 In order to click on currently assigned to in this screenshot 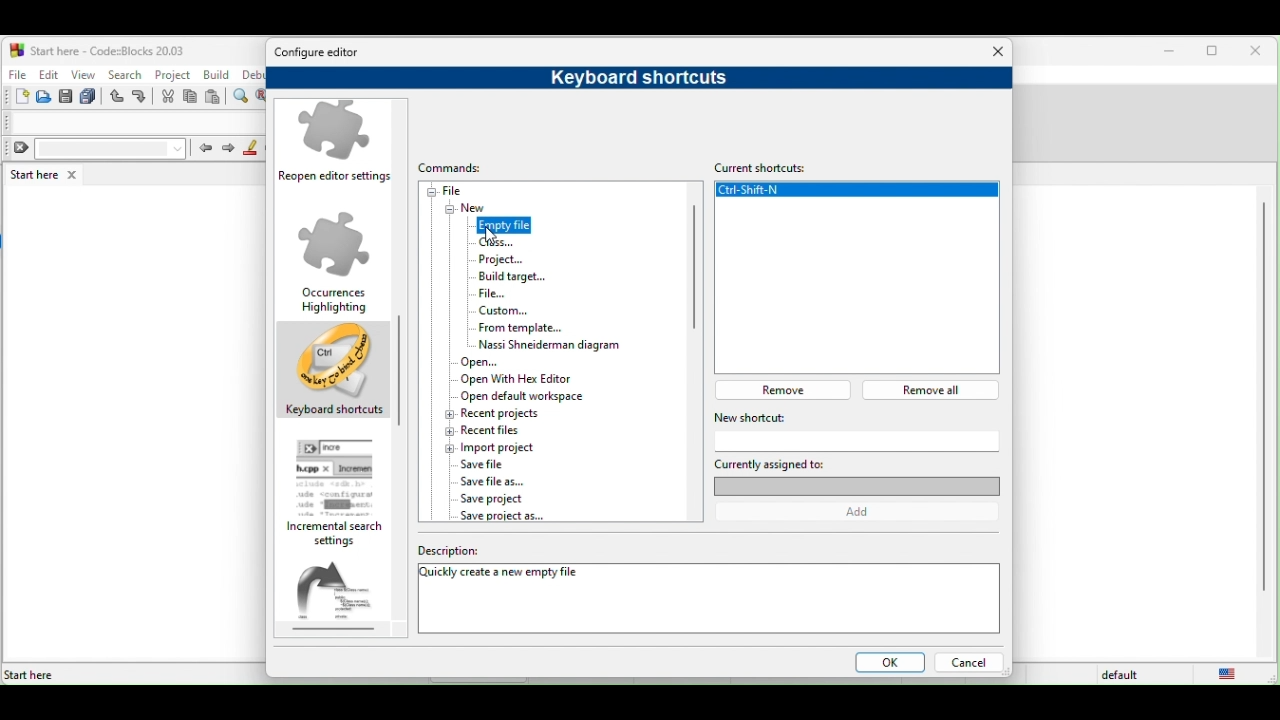, I will do `click(856, 475)`.